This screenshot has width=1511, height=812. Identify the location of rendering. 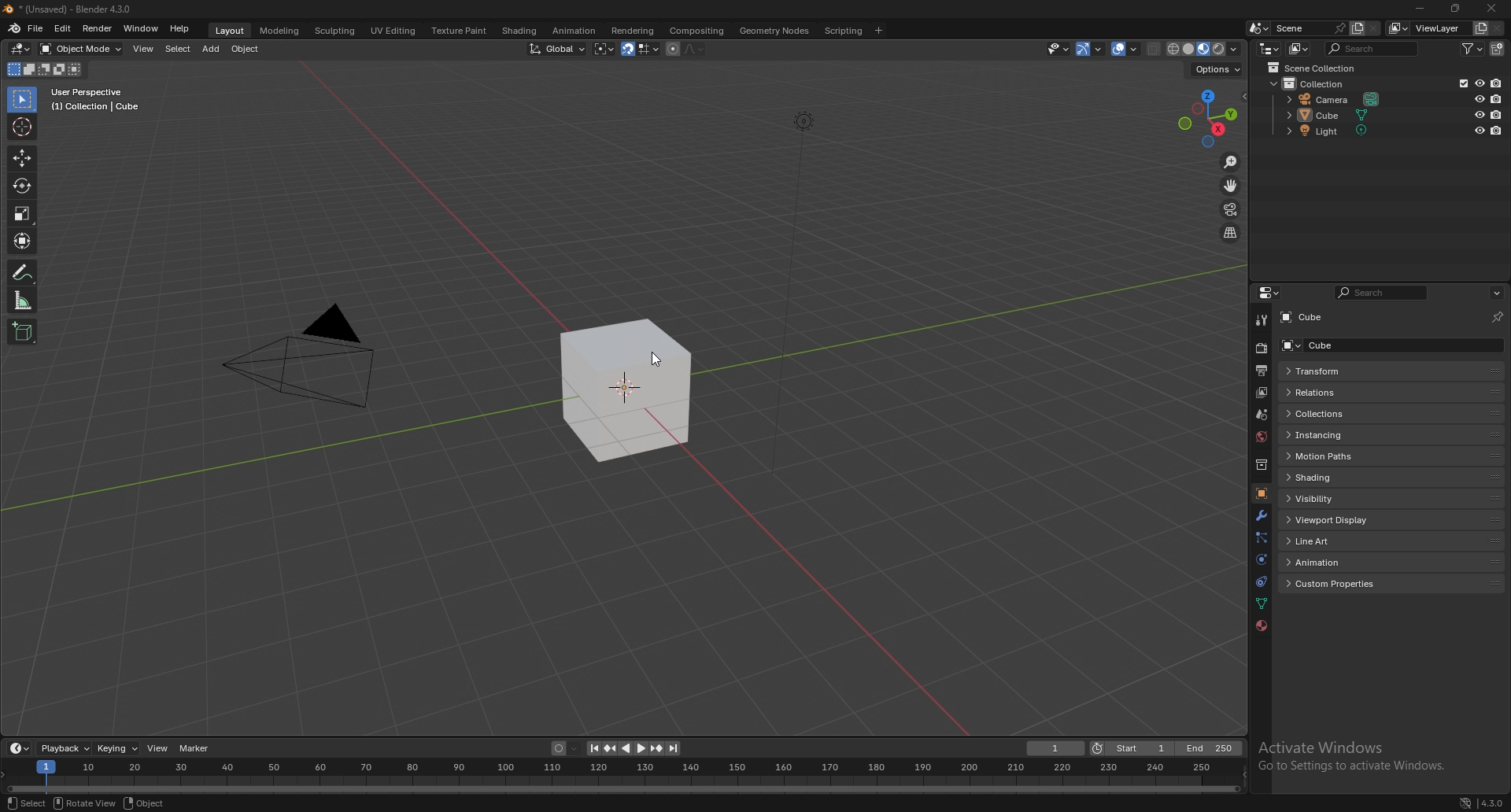
(631, 30).